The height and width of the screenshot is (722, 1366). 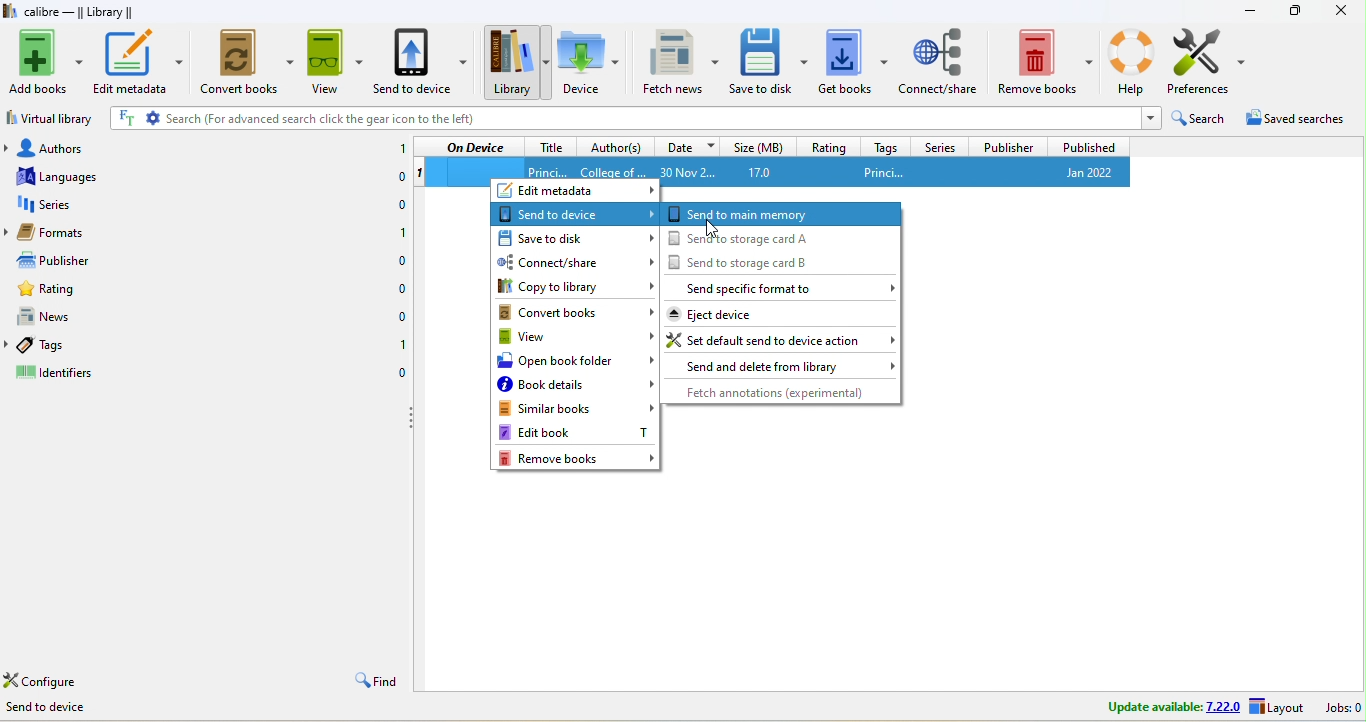 I want to click on library, so click(x=515, y=62).